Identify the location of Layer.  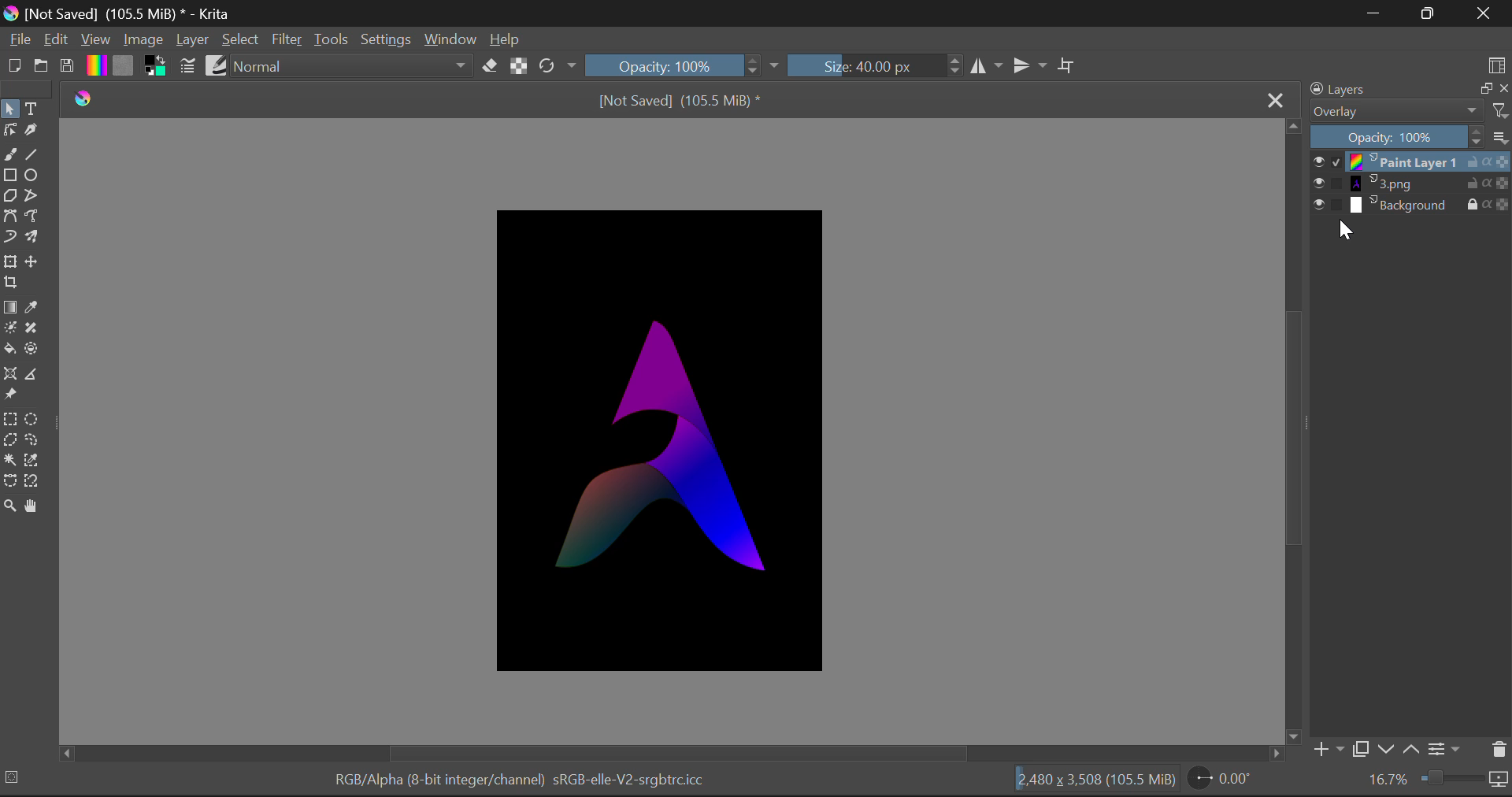
(192, 43).